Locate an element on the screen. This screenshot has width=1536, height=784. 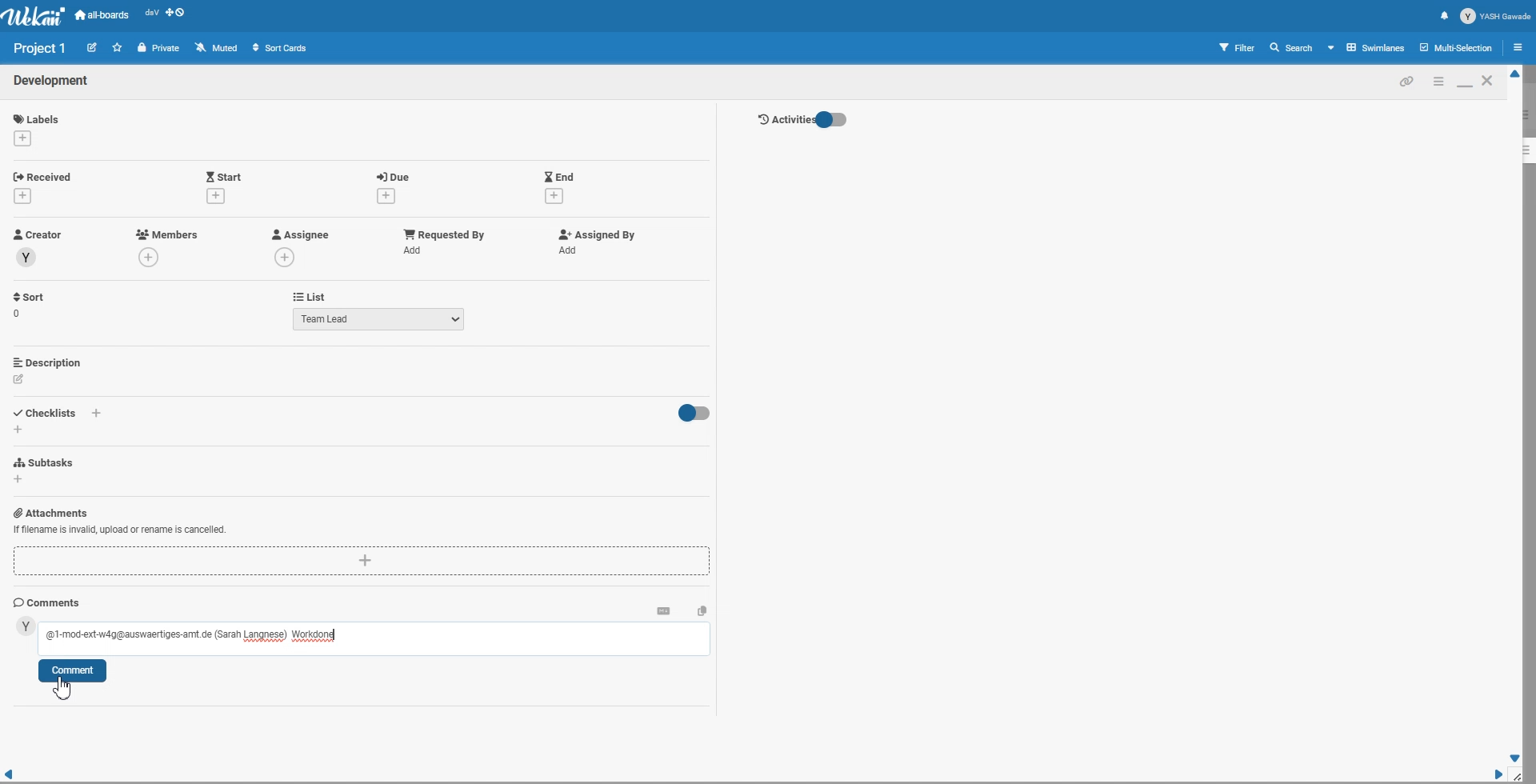
Cursor is located at coordinates (63, 686).